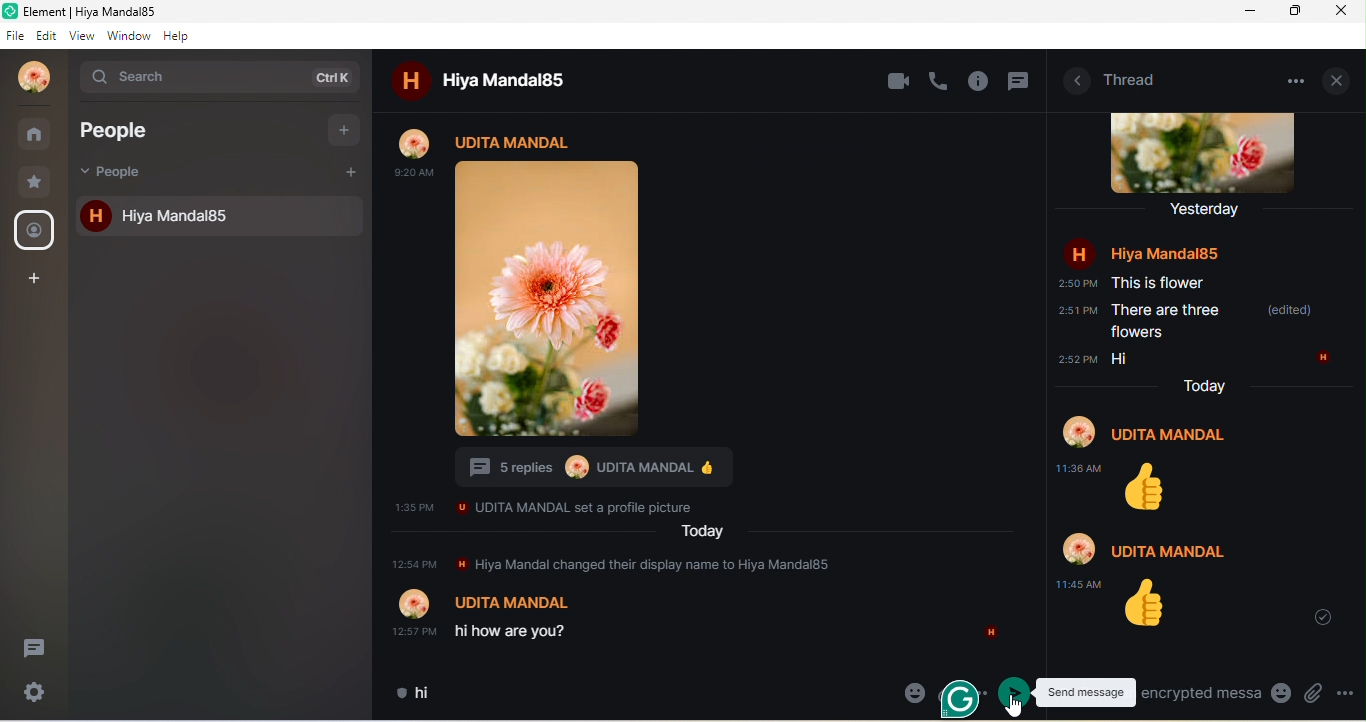 Image resolution: width=1366 pixels, height=722 pixels. What do you see at coordinates (710, 468) in the screenshot?
I see `Thumbs up emoji` at bounding box center [710, 468].